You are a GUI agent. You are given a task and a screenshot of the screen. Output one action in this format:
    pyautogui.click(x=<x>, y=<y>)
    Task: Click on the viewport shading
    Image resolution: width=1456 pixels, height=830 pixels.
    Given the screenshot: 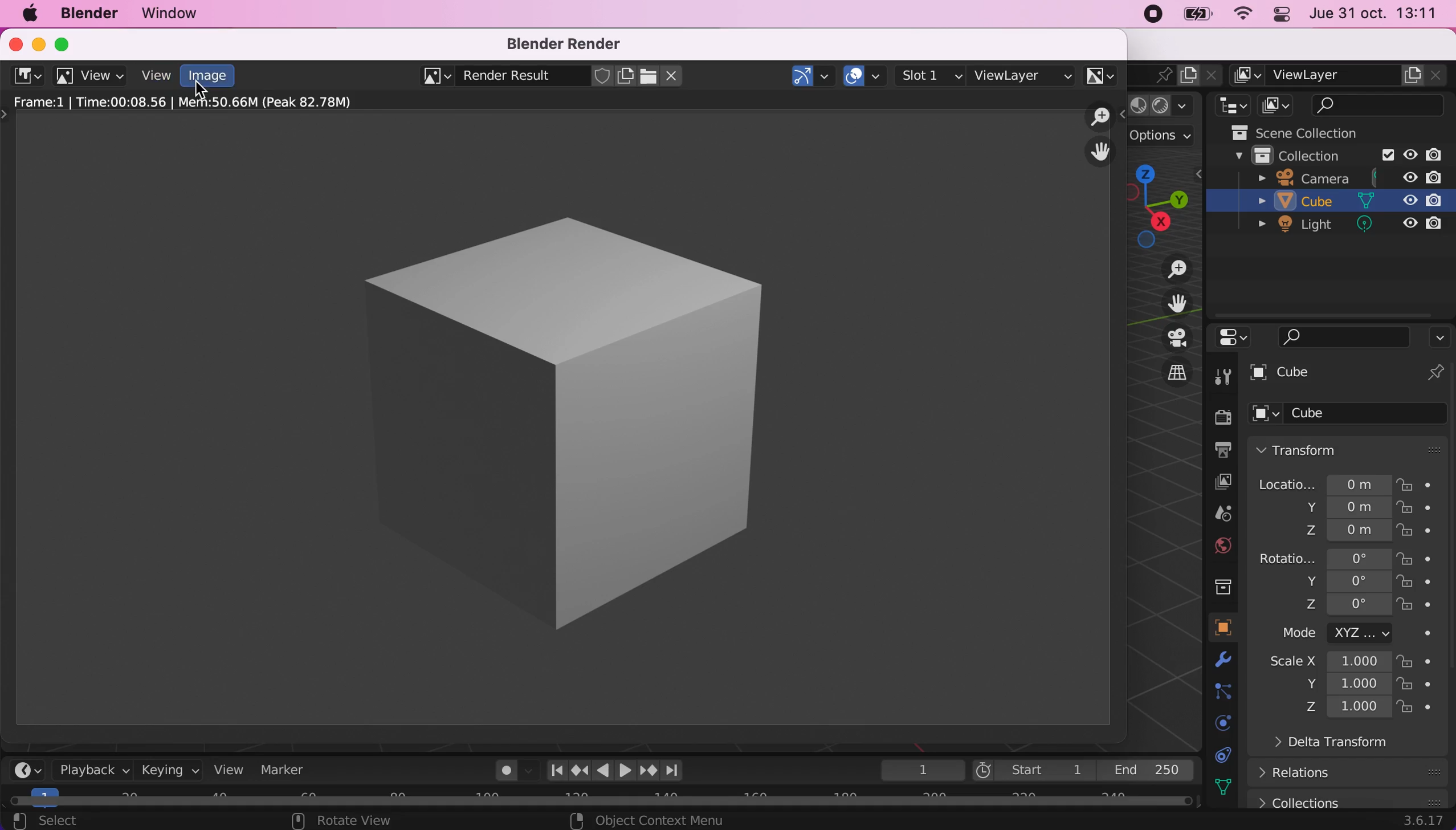 What is the action you would take?
    pyautogui.click(x=1168, y=106)
    